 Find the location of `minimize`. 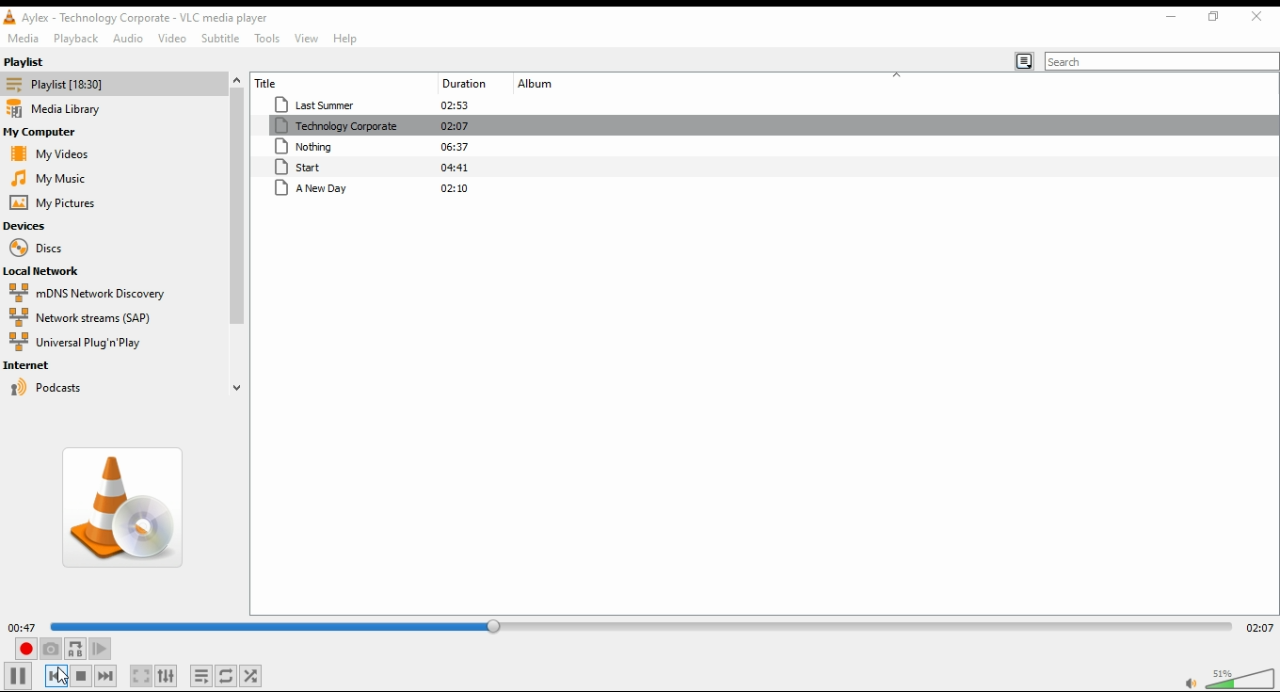

minimize is located at coordinates (1171, 16).